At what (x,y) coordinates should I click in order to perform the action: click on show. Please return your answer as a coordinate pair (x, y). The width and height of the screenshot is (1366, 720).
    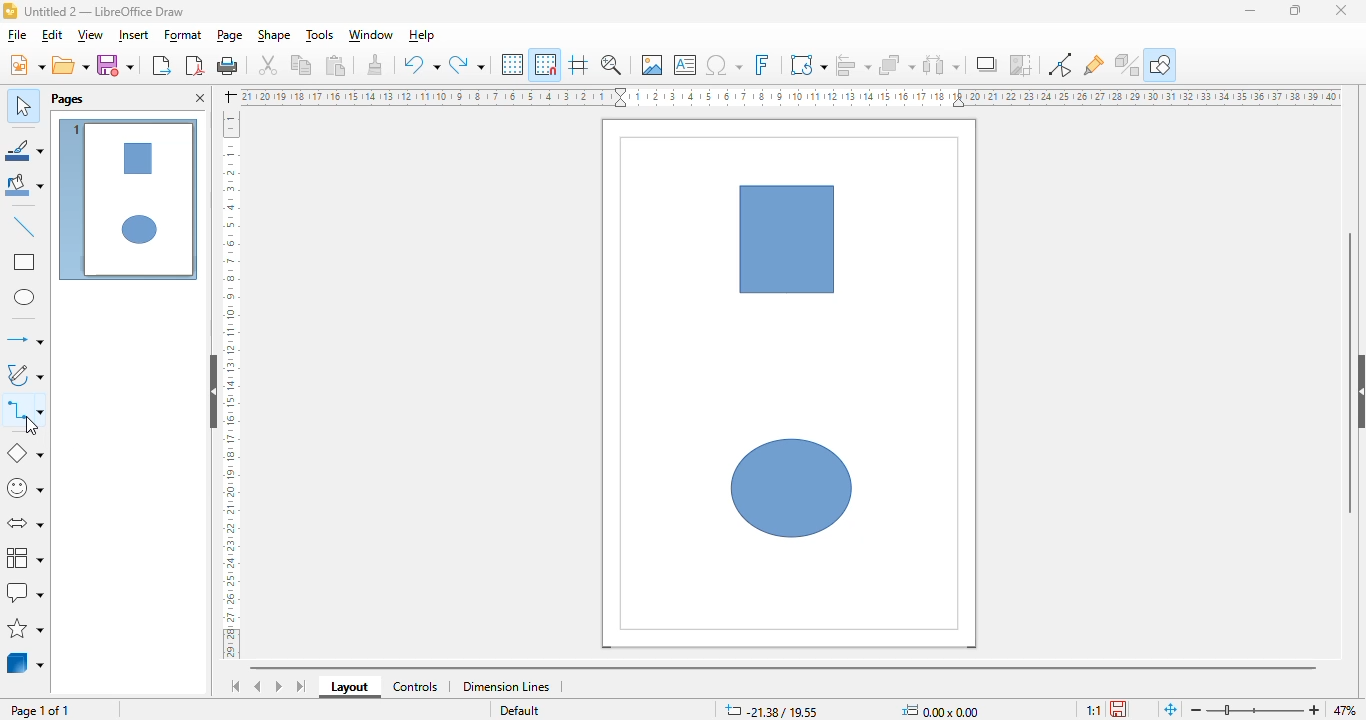
    Looking at the image, I should click on (1357, 390).